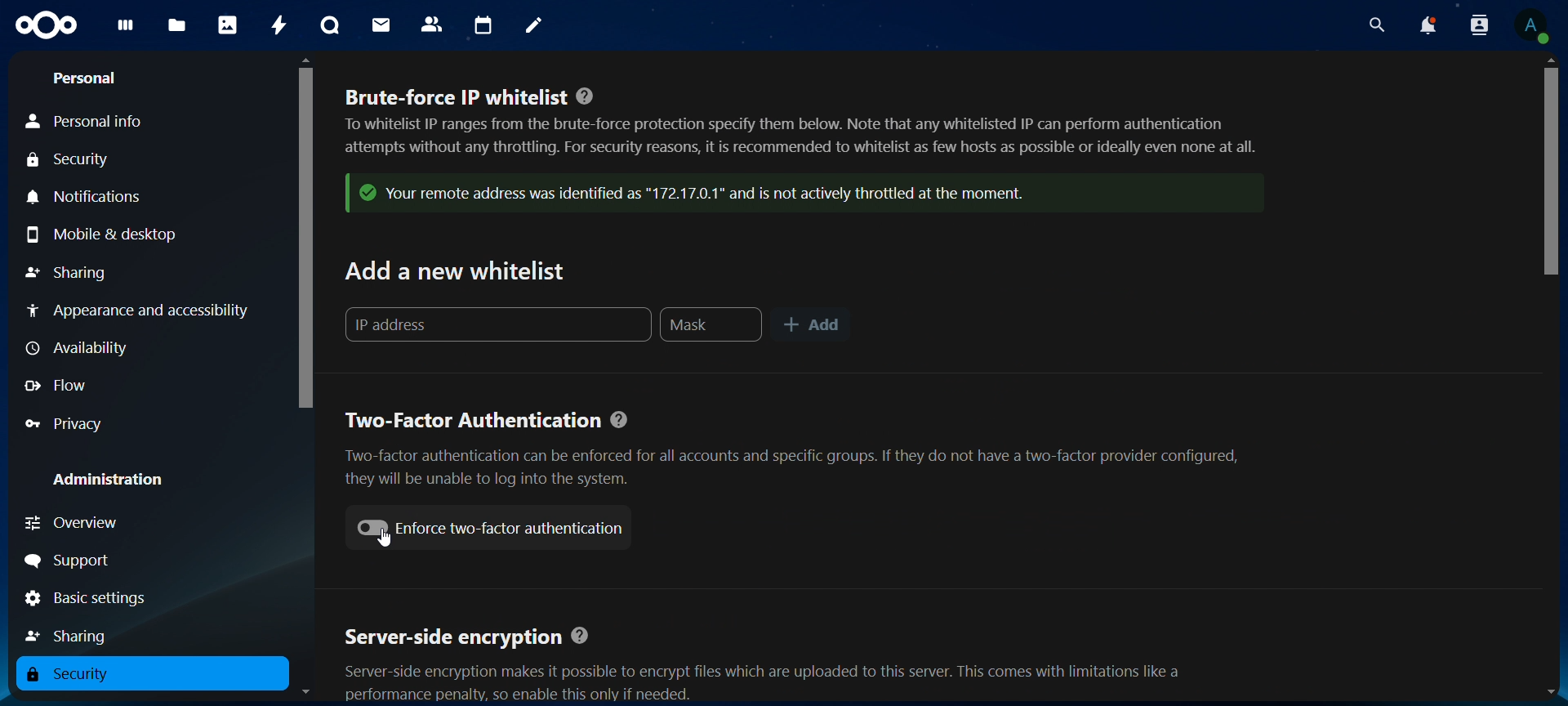  I want to click on availabilty, so click(84, 346).